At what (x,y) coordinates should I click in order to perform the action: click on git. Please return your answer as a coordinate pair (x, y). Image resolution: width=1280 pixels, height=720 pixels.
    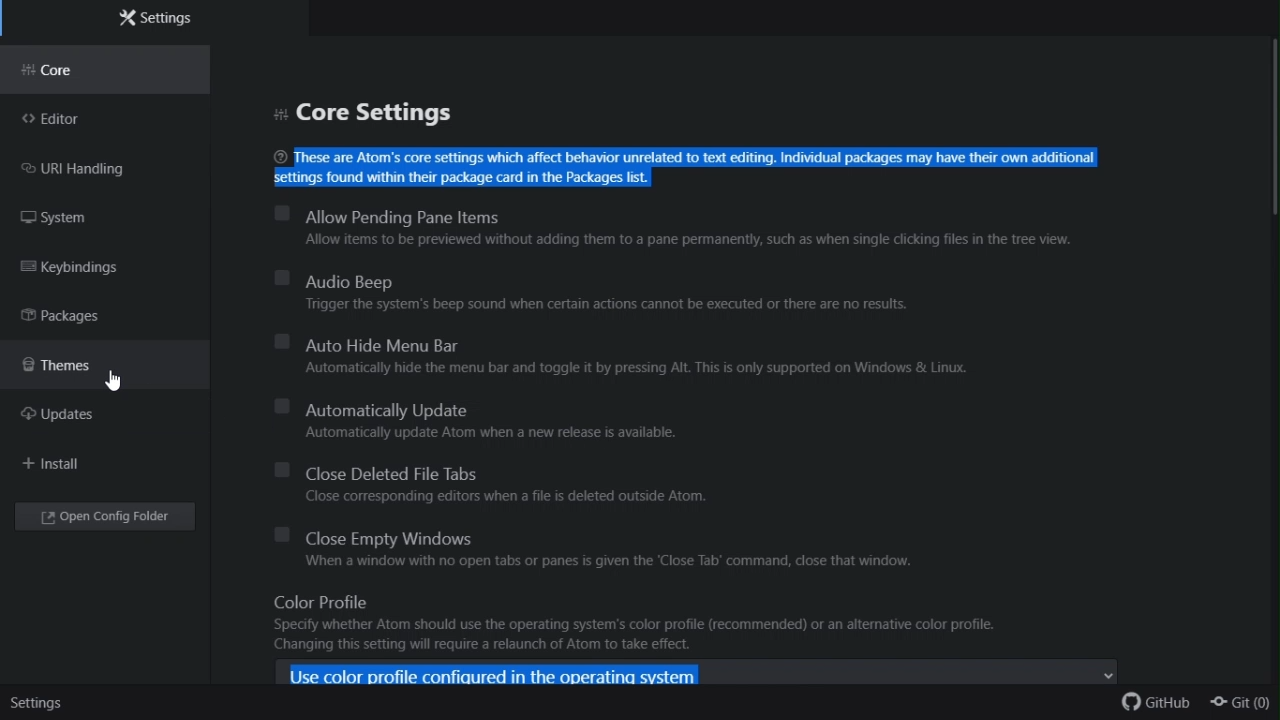
    Looking at the image, I should click on (1242, 703).